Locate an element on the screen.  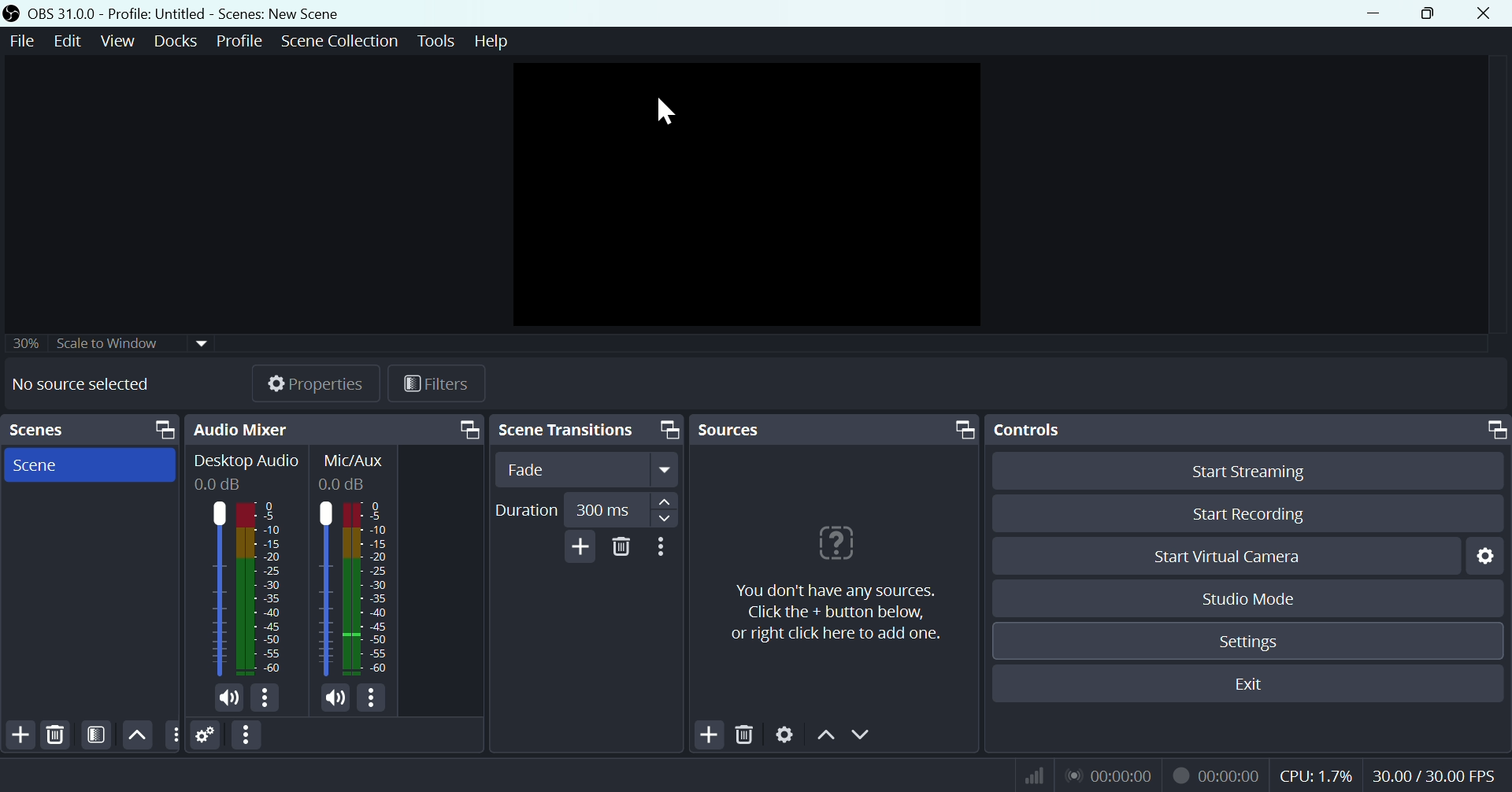
Docks is located at coordinates (178, 39).